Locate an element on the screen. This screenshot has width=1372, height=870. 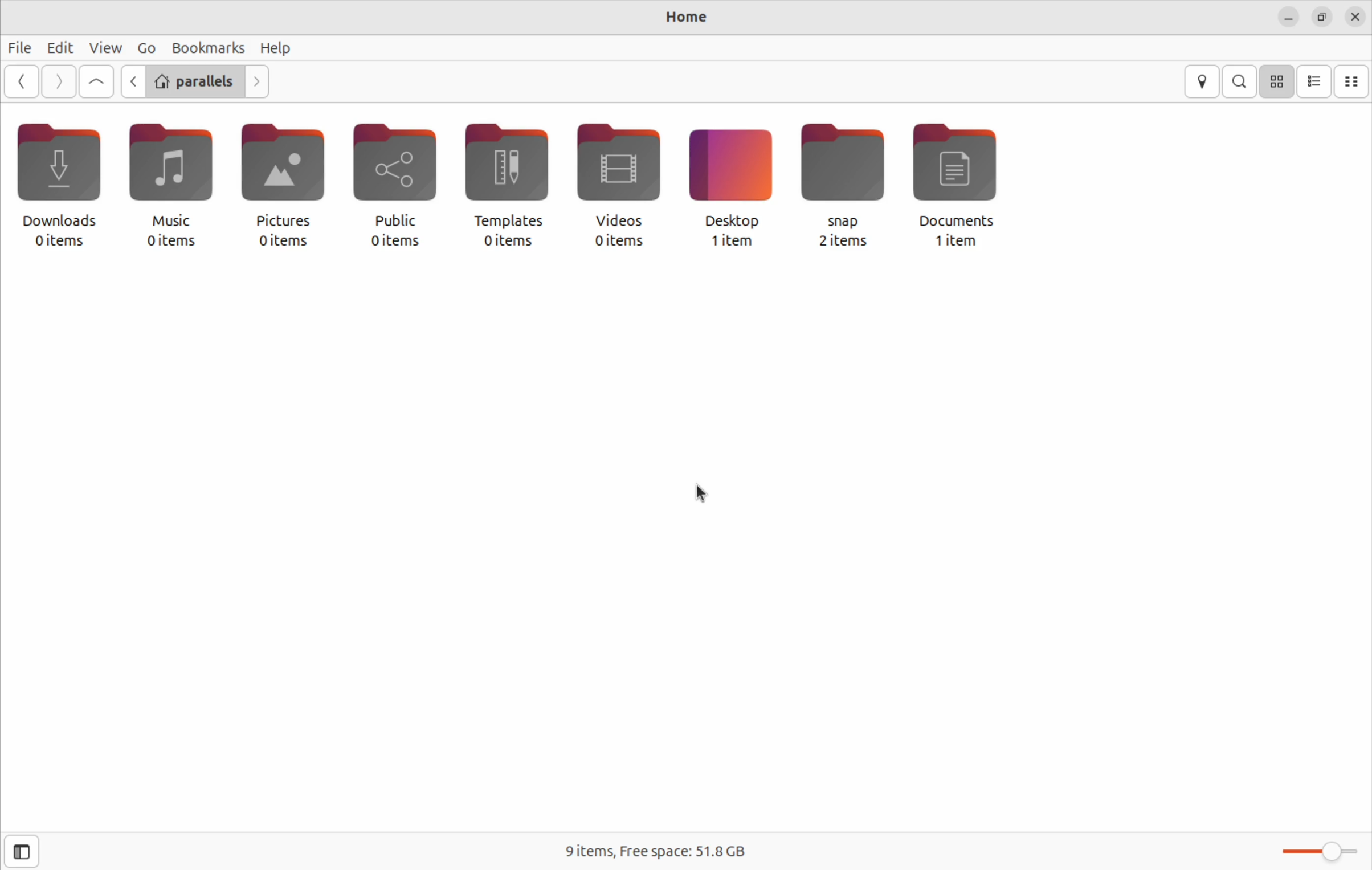
9 item free space 51.38 is located at coordinates (657, 853).